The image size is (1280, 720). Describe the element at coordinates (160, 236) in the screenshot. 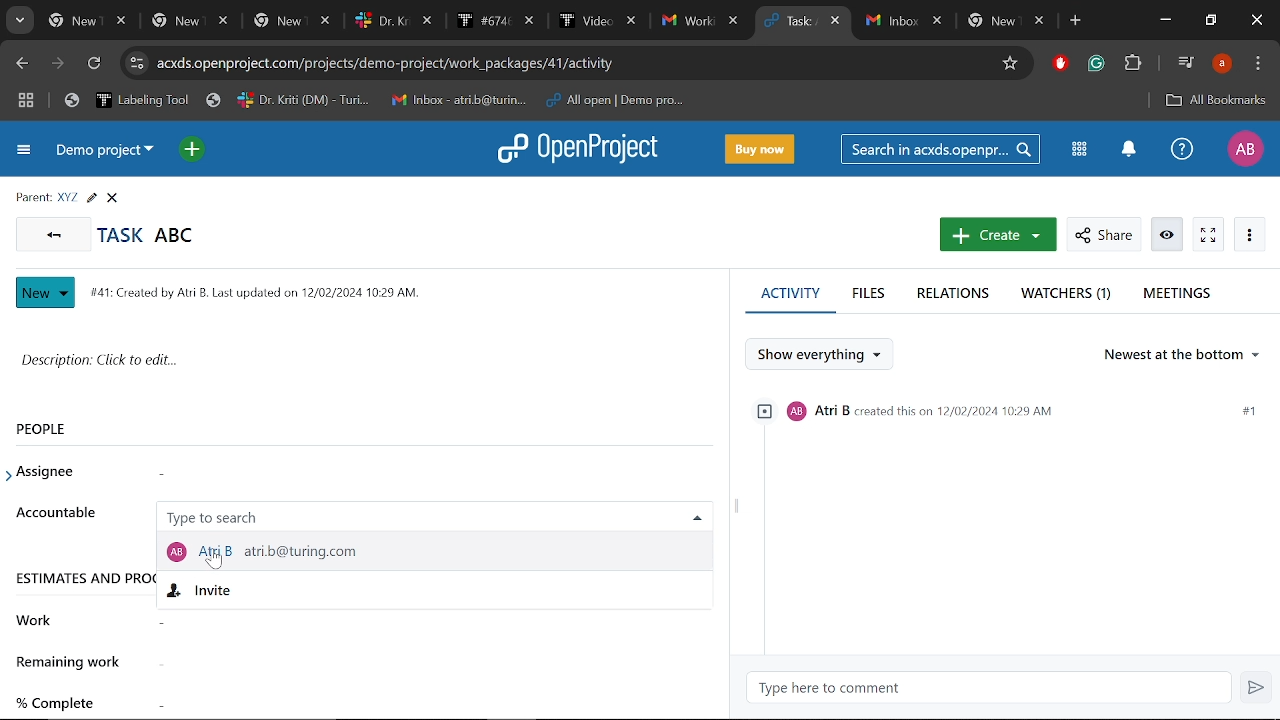

I see `Task abc` at that location.